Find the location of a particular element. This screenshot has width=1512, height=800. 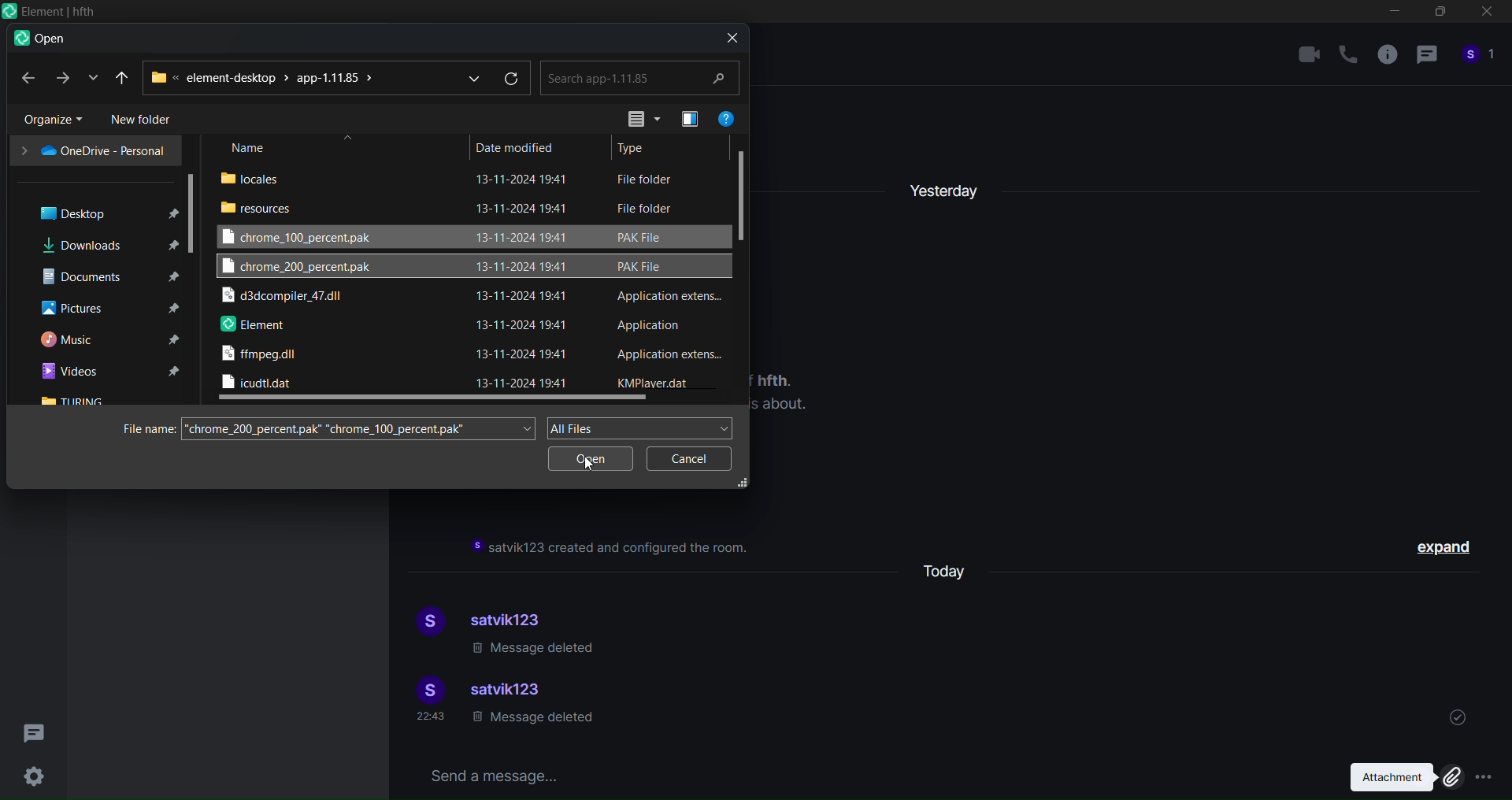

time is located at coordinates (433, 719).